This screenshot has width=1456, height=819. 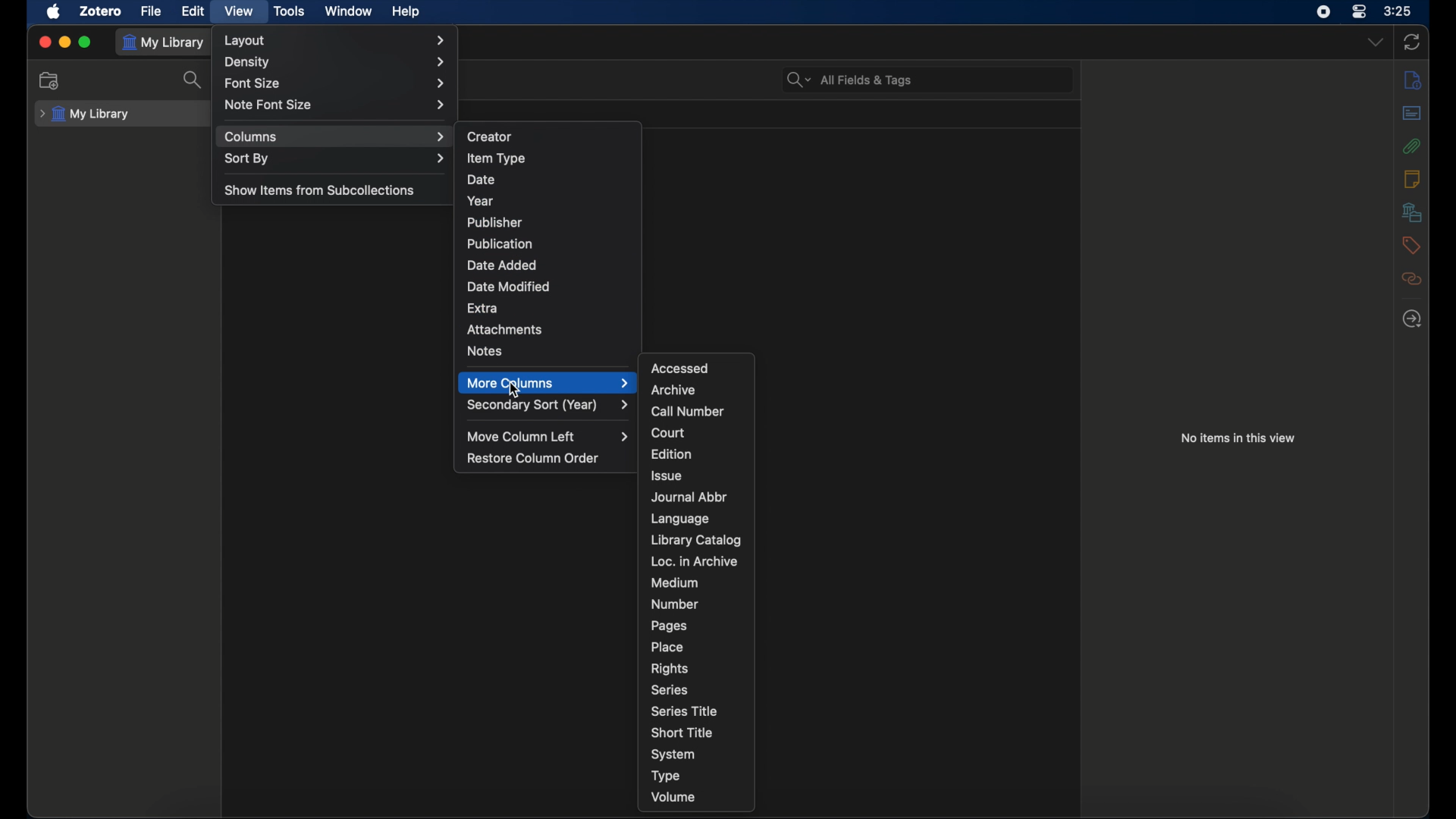 I want to click on accessed, so click(x=679, y=368).